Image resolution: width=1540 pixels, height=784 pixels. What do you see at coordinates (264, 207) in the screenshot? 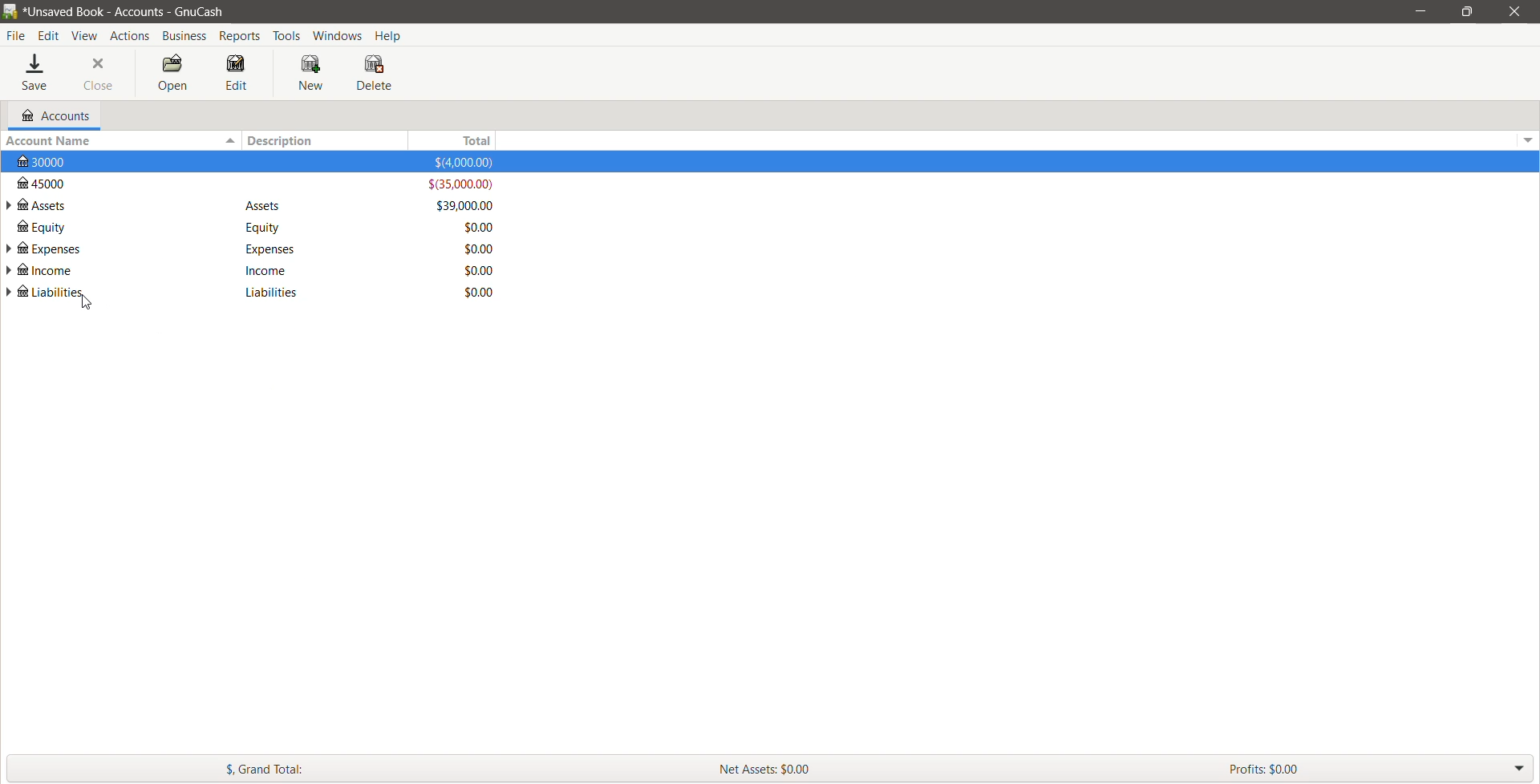
I see `details of the account "Assets"` at bounding box center [264, 207].